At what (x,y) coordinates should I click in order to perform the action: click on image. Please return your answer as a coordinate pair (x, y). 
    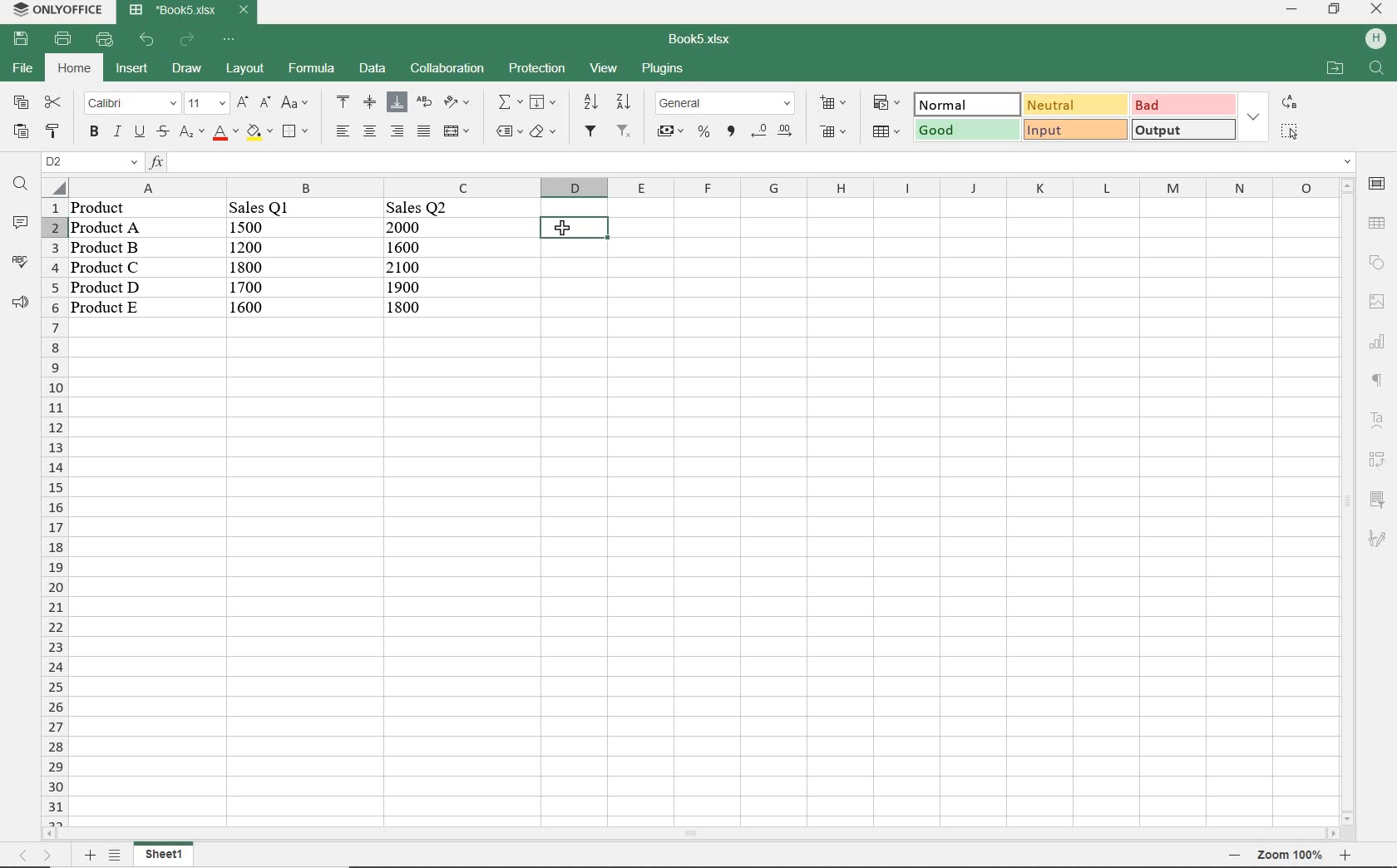
    Looking at the image, I should click on (1379, 301).